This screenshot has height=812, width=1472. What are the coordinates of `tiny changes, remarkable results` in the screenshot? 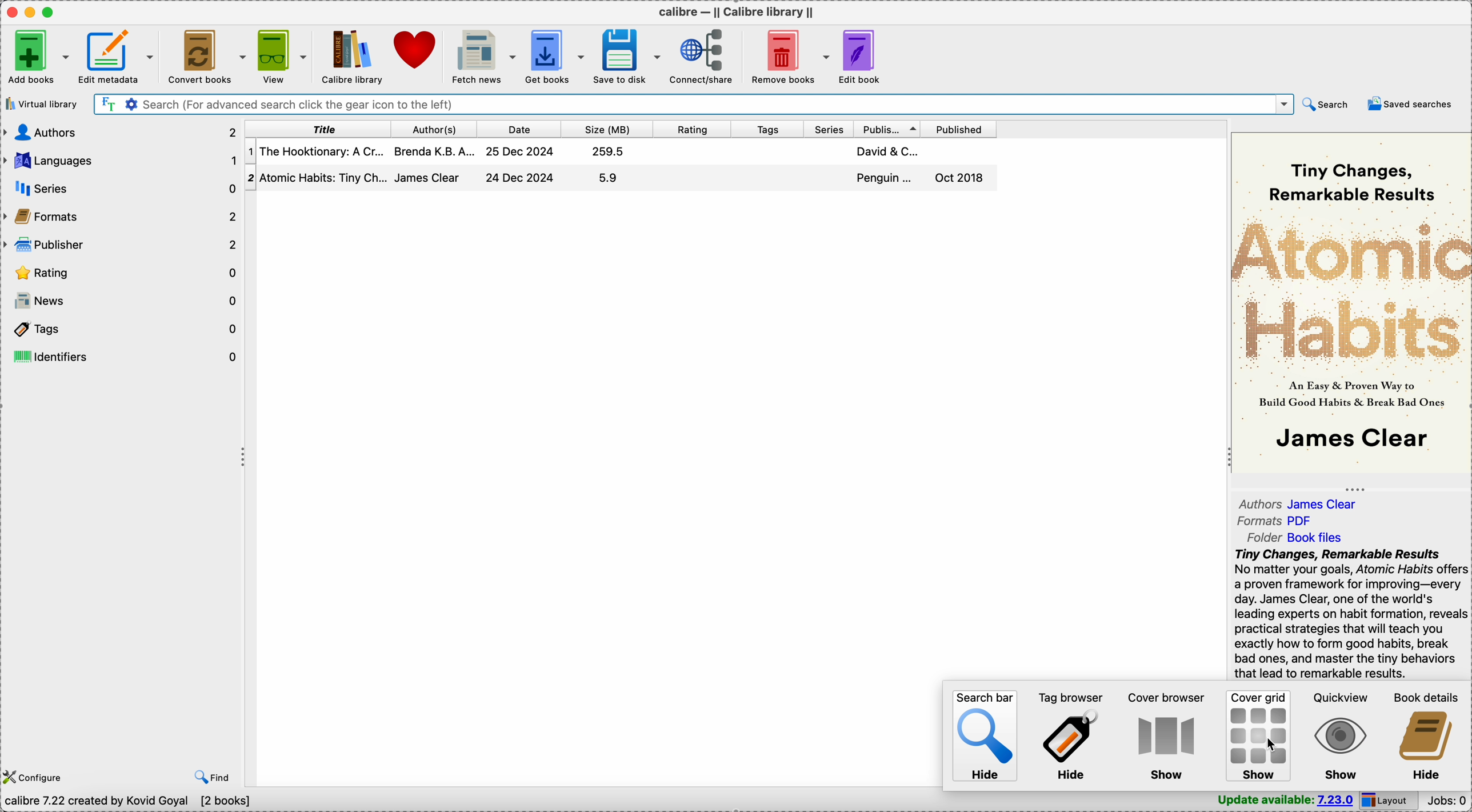 It's located at (1351, 182).